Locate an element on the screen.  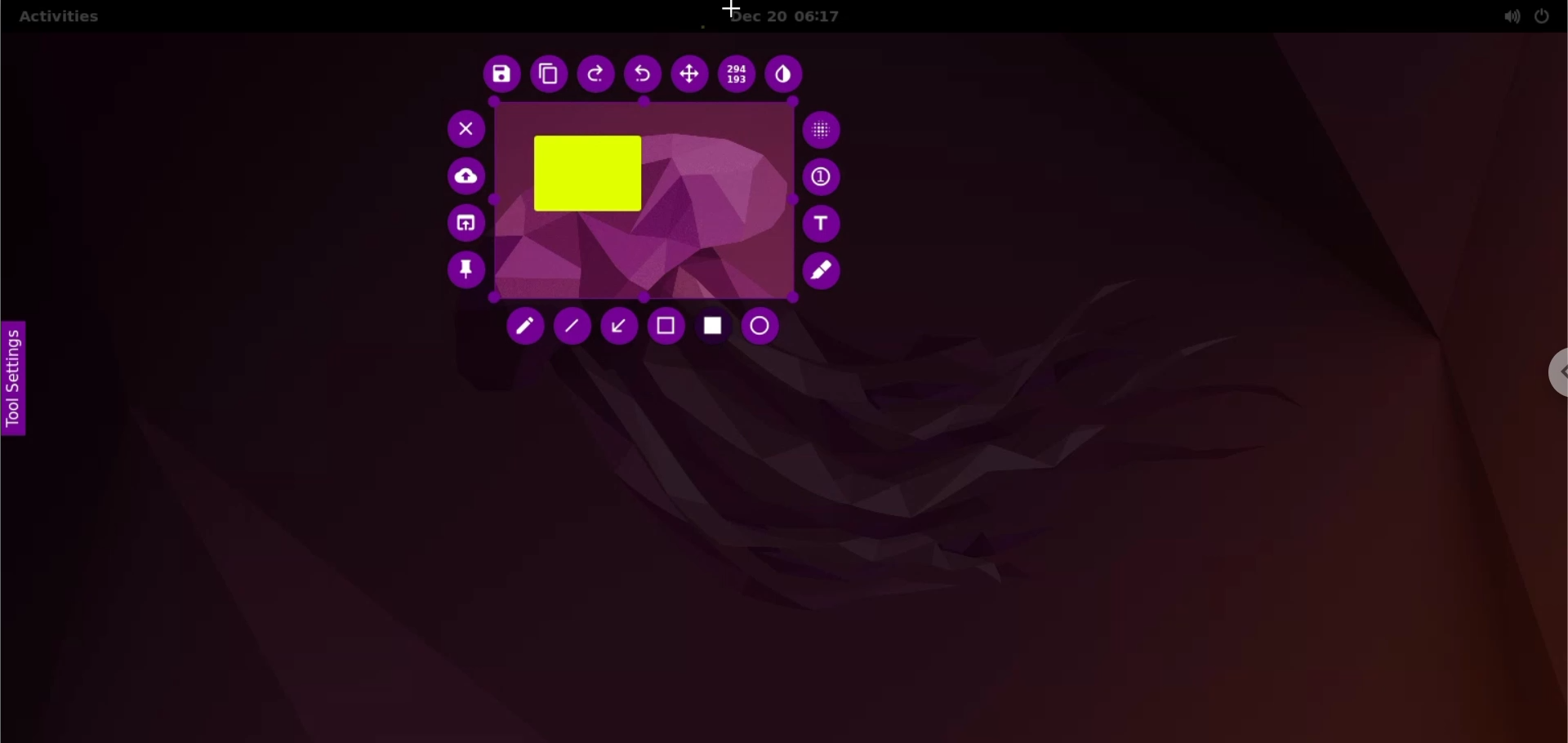
marker is located at coordinates (825, 271).